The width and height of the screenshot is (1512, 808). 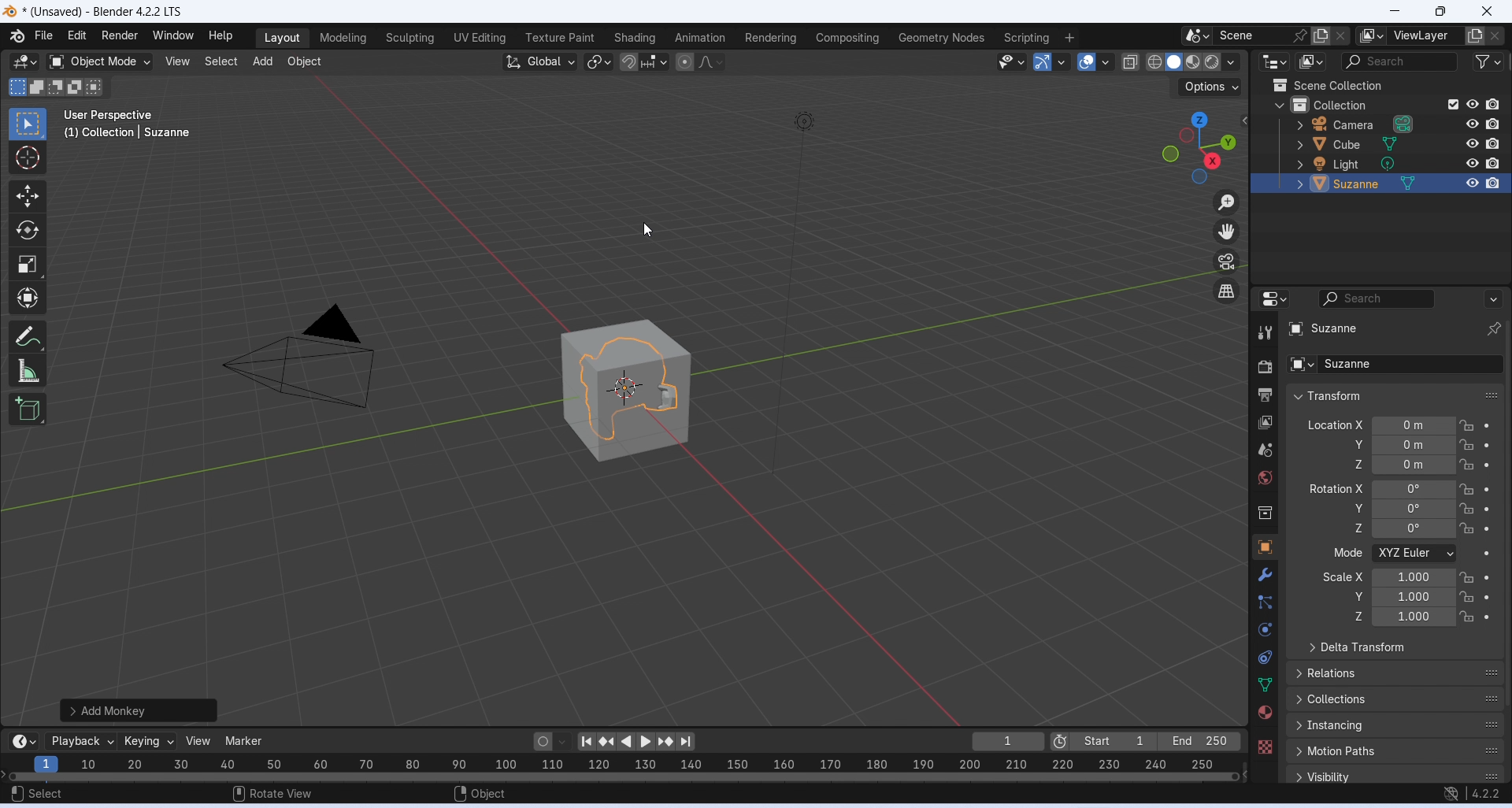 What do you see at coordinates (627, 743) in the screenshot?
I see `play animation` at bounding box center [627, 743].